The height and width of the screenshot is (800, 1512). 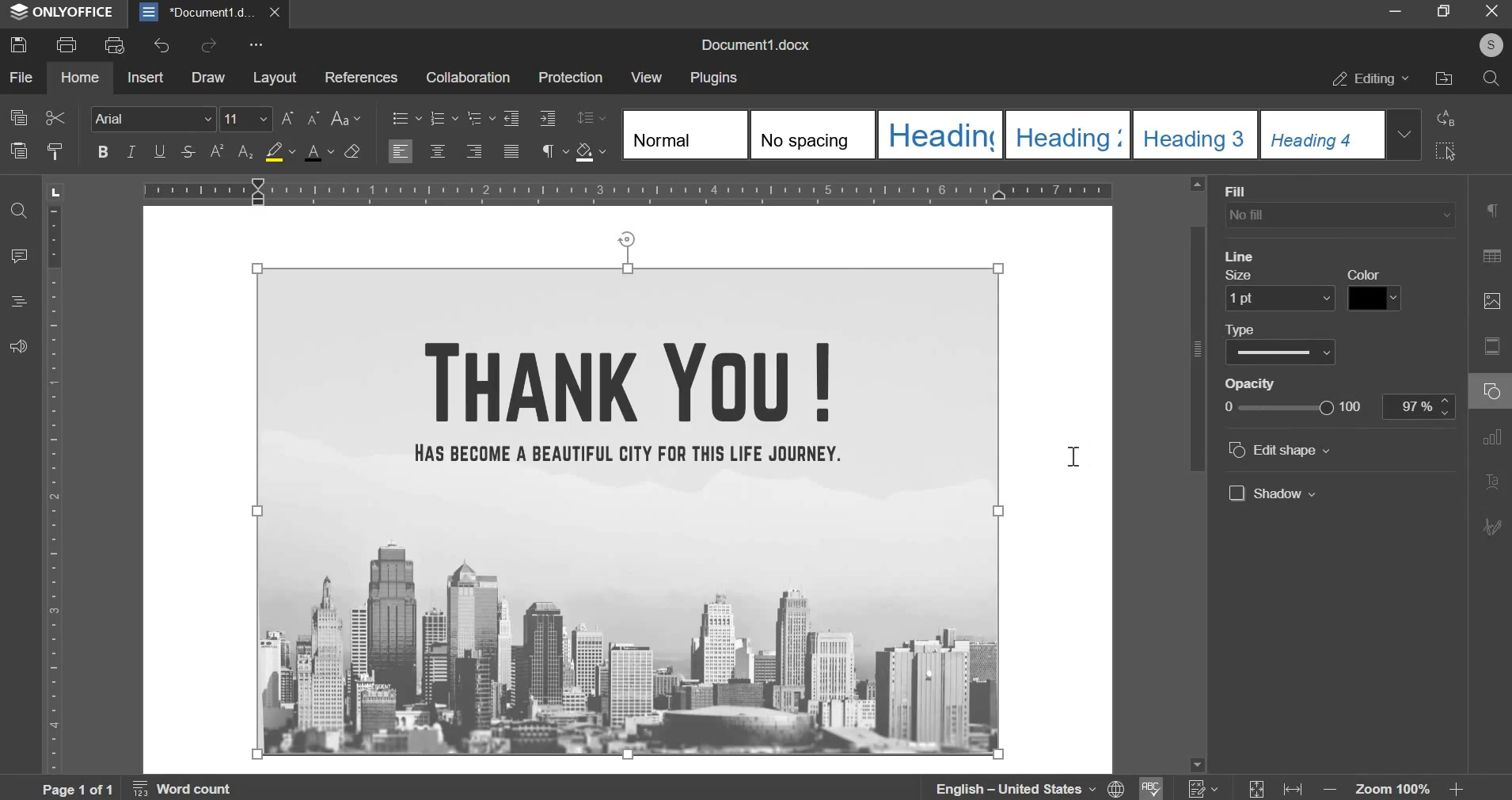 I want to click on multilevel list, so click(x=479, y=116).